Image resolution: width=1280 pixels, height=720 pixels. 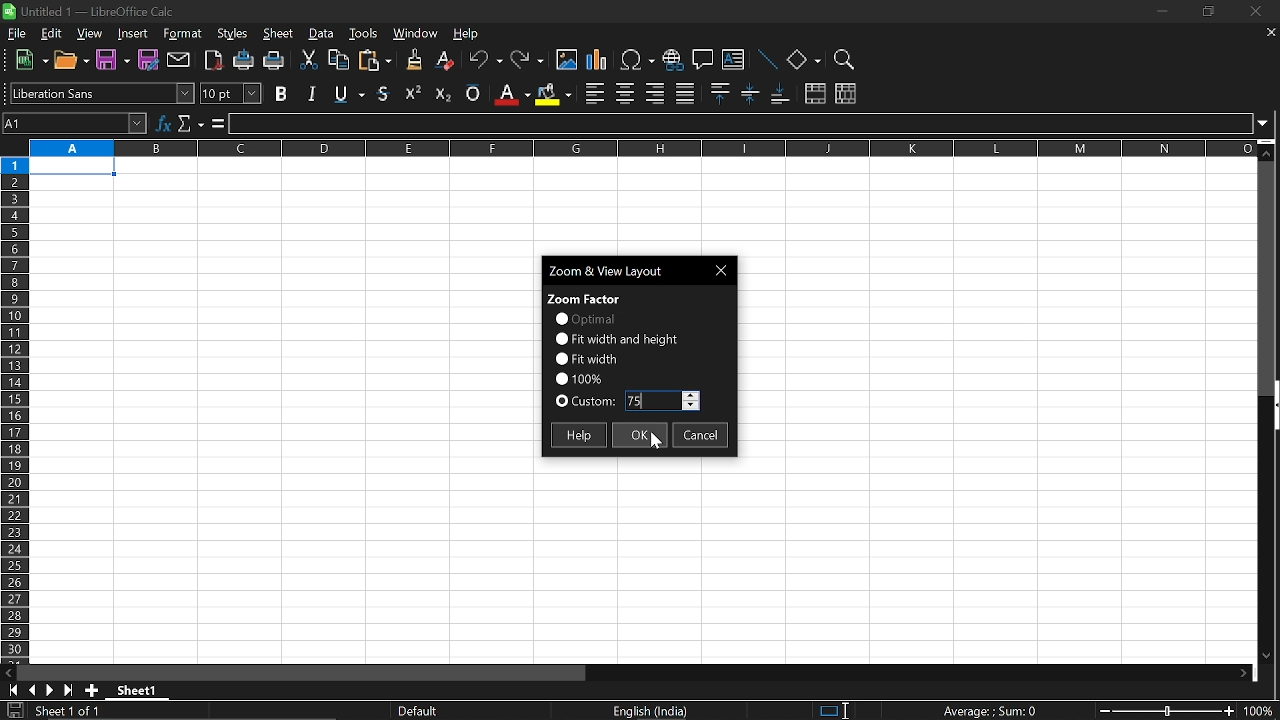 I want to click on minimize, so click(x=1160, y=11).